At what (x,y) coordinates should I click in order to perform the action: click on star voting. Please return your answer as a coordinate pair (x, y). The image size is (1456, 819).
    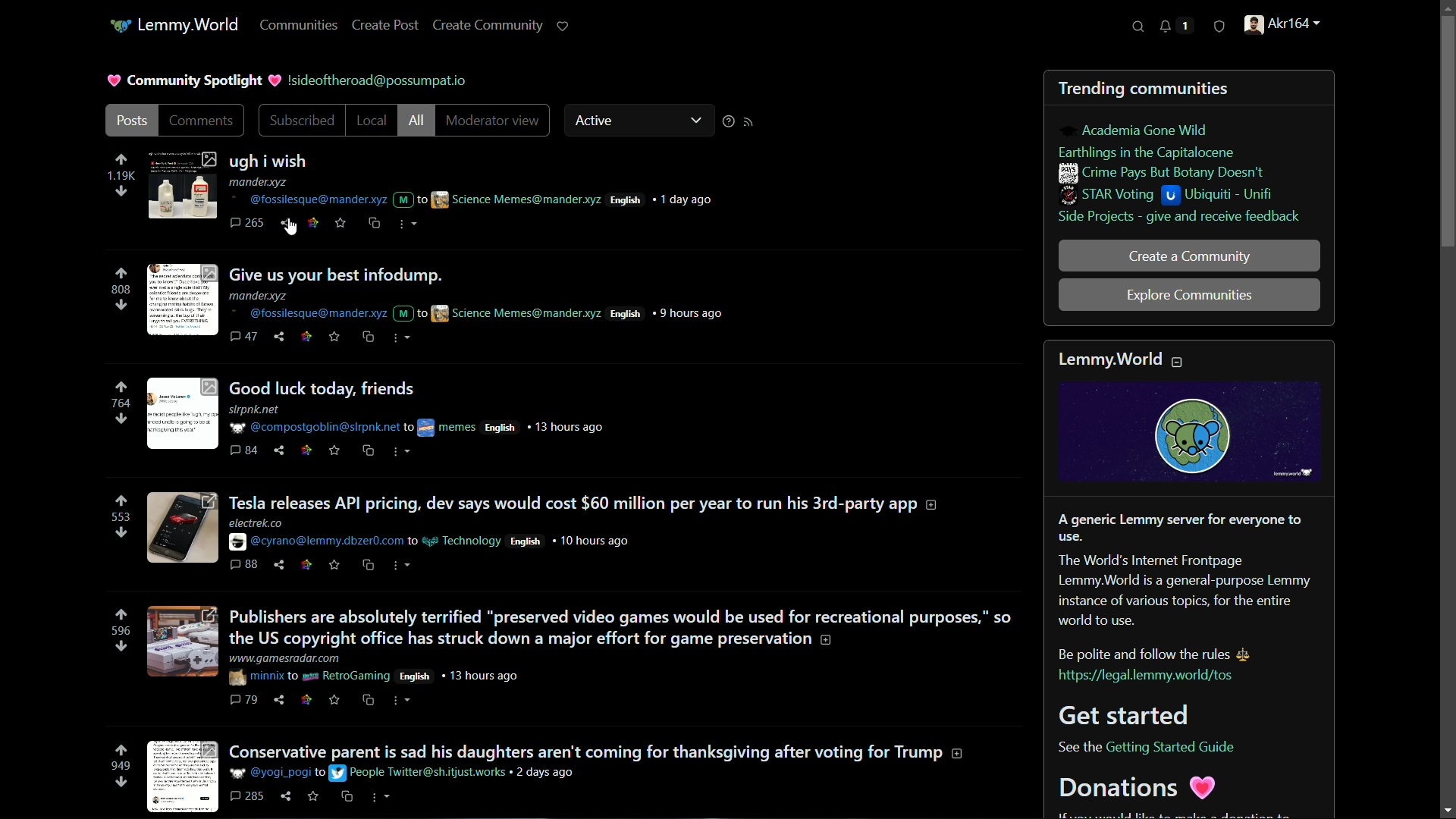
    Looking at the image, I should click on (1108, 196).